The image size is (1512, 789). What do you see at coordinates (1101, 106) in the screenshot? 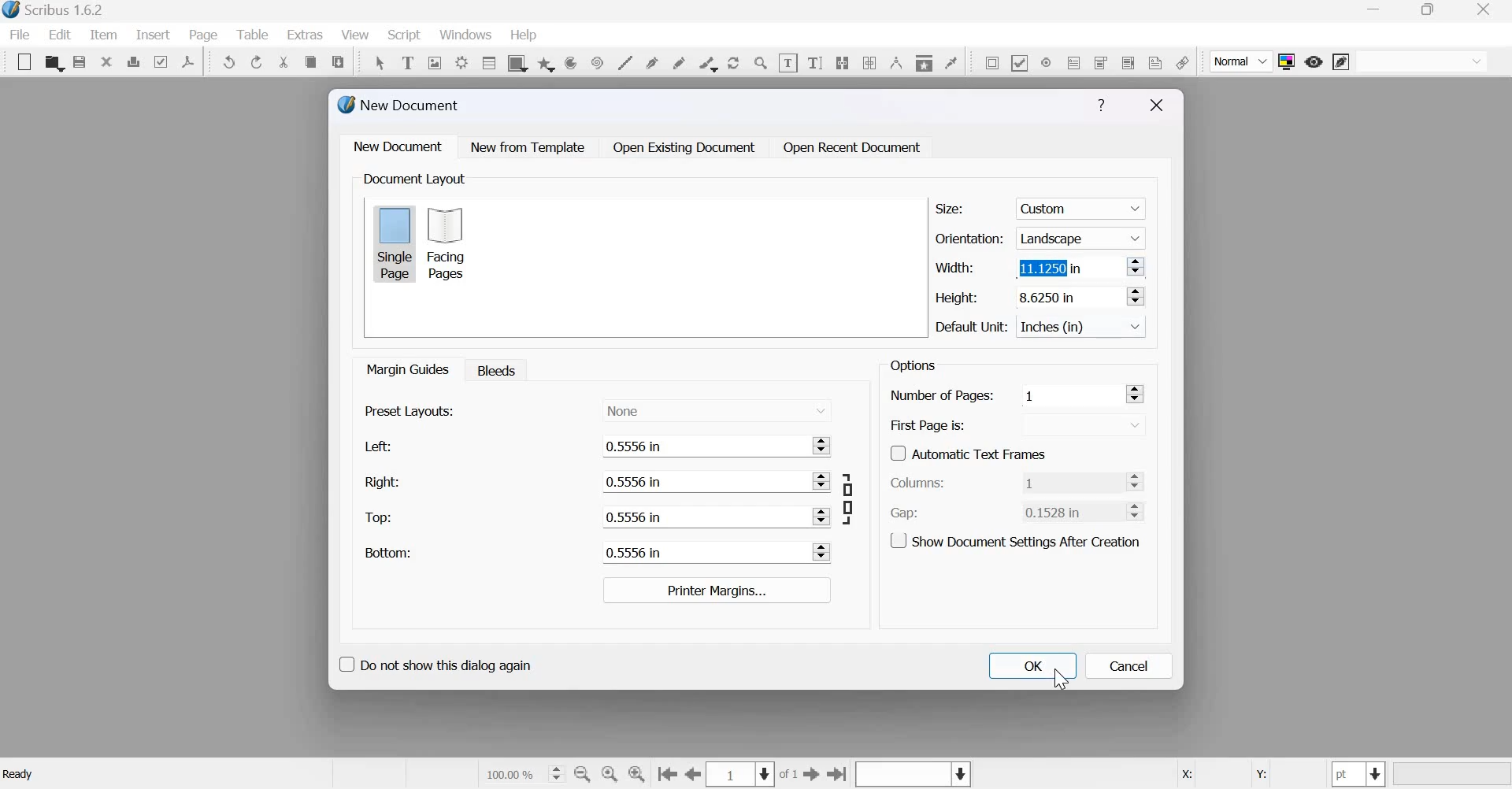
I see `Help` at bounding box center [1101, 106].